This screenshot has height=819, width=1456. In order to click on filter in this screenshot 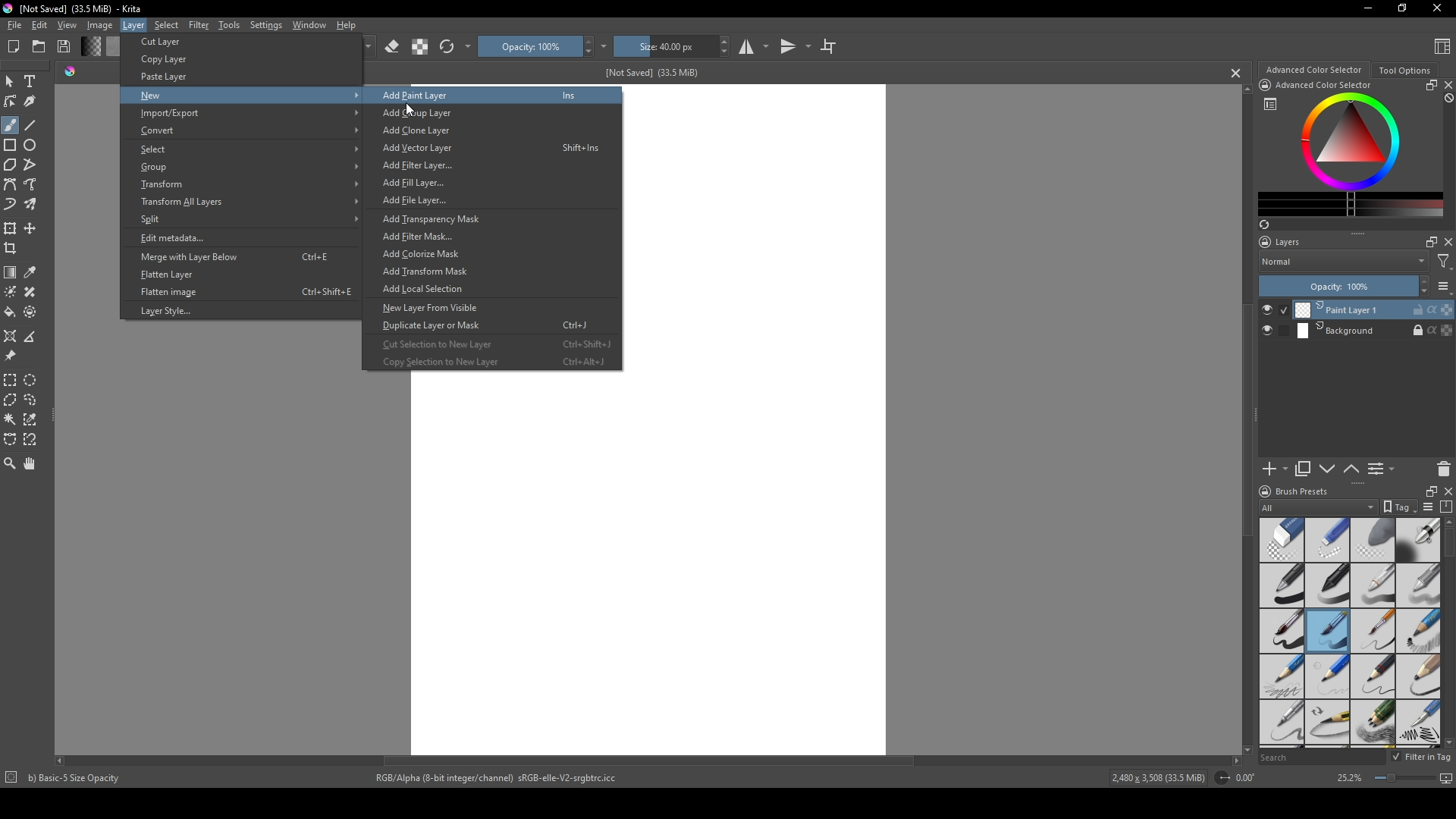, I will do `click(1444, 262)`.